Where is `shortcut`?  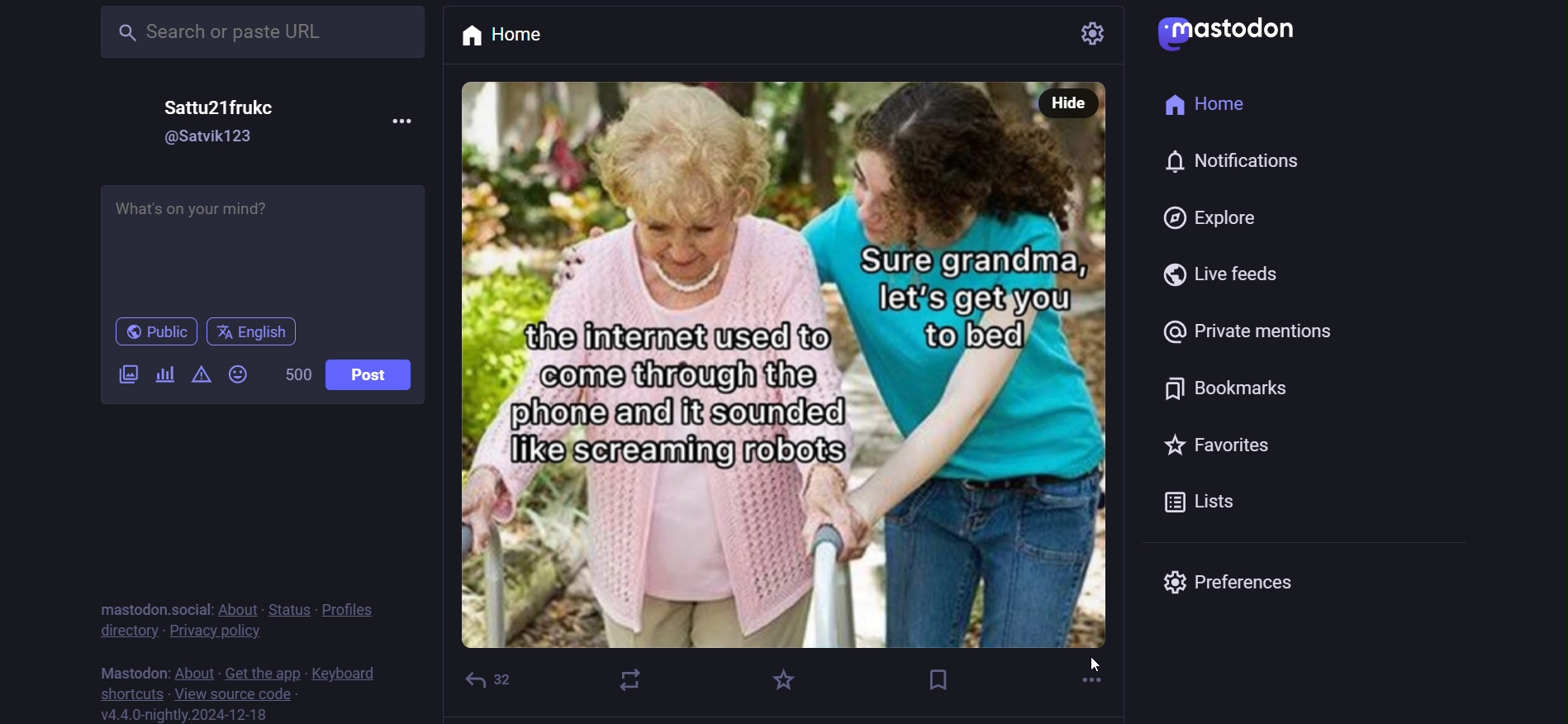 shortcut is located at coordinates (126, 694).